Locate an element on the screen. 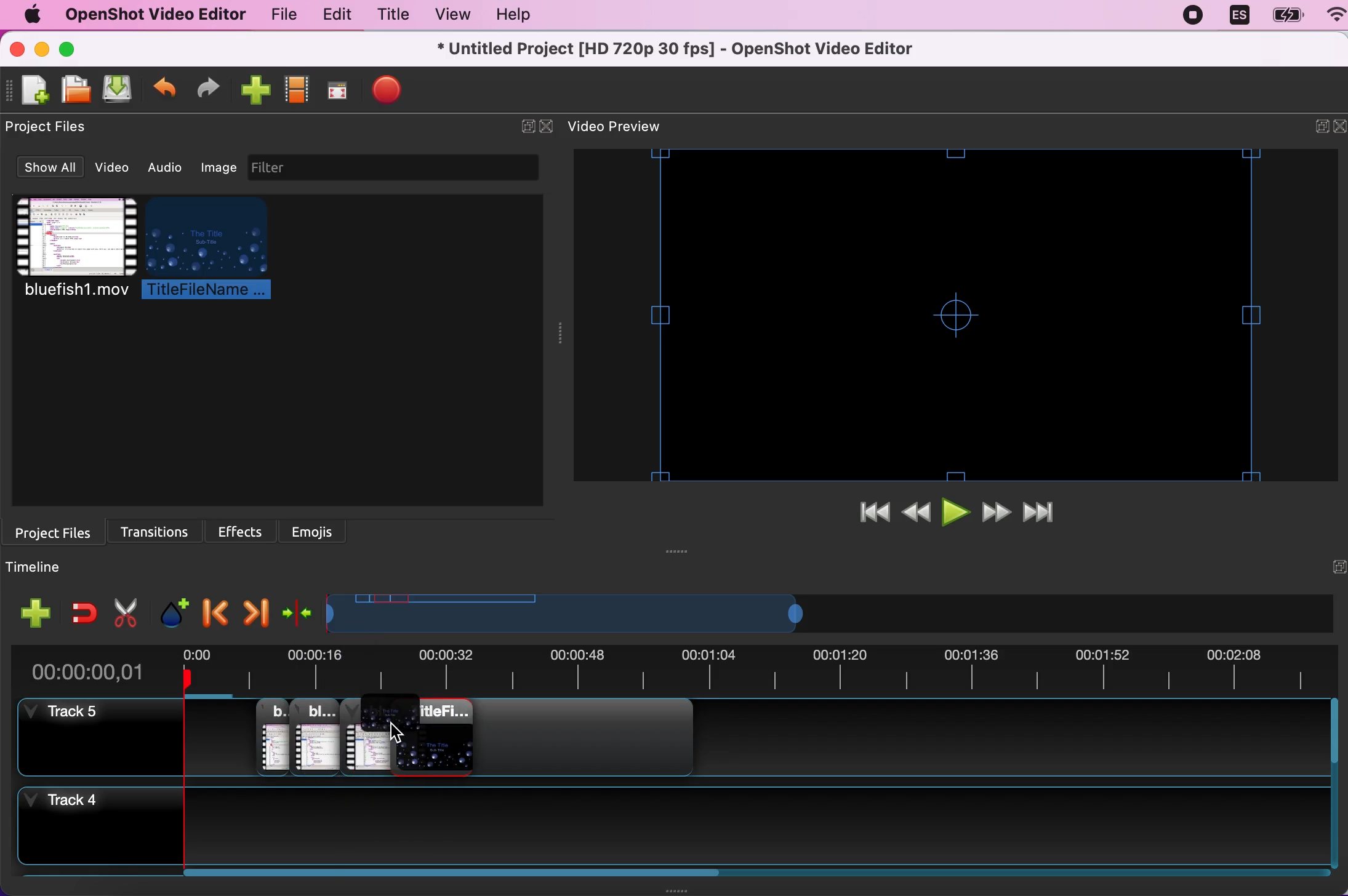 The height and width of the screenshot is (896, 1348). bluefish1.mov is located at coordinates (73, 249).